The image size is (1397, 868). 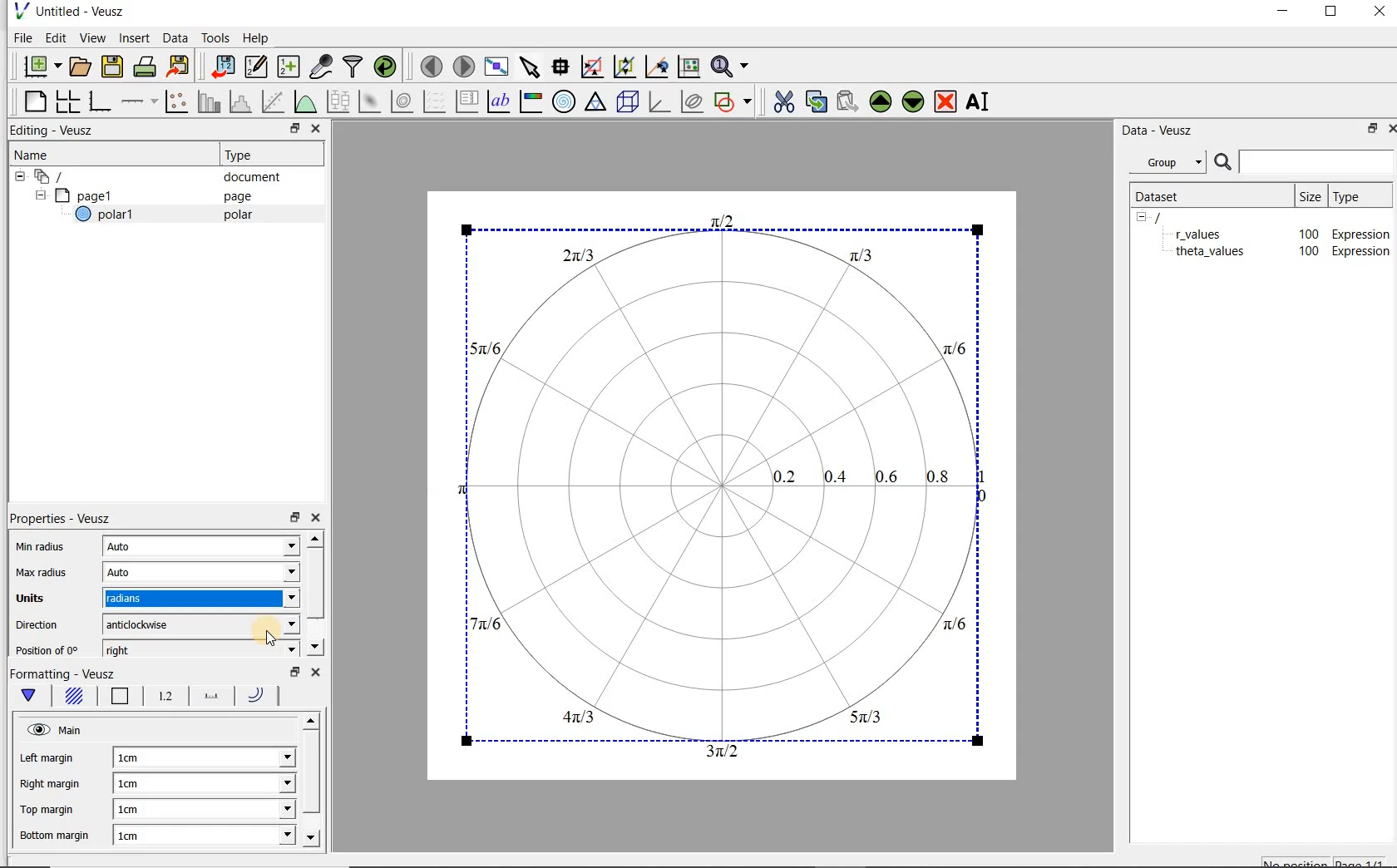 I want to click on hide sub menu, so click(x=16, y=175).